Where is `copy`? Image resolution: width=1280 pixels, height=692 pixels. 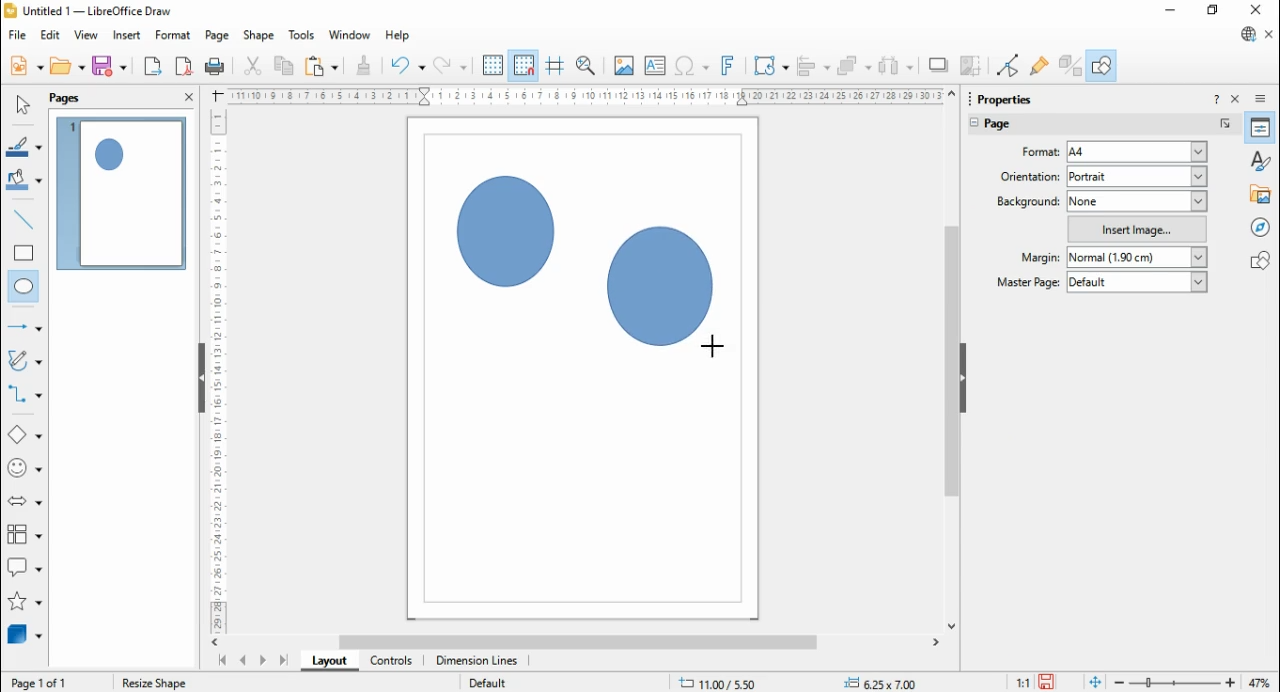
copy is located at coordinates (284, 65).